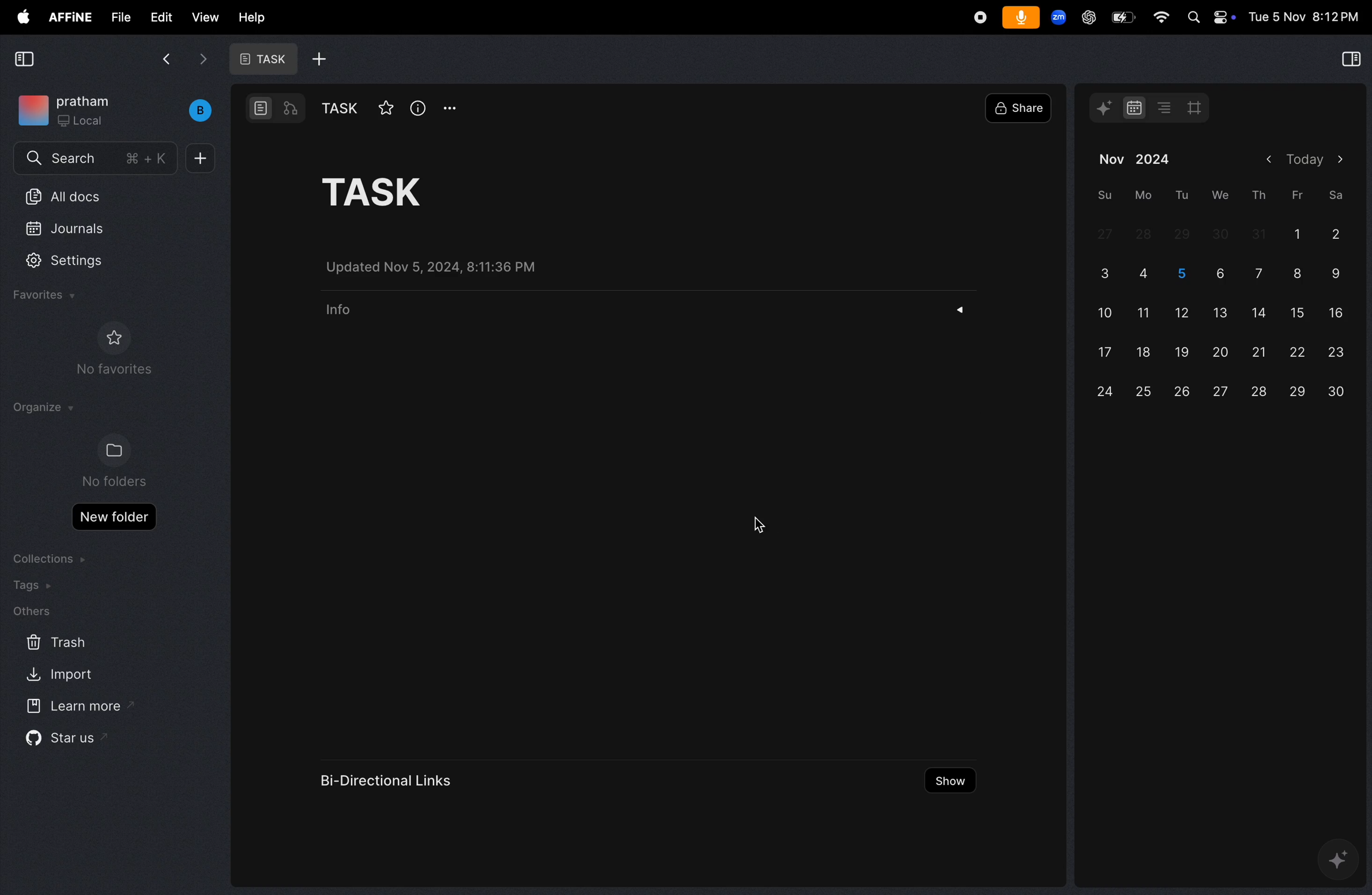 The image size is (1372, 895). I want to click on add, so click(319, 59).